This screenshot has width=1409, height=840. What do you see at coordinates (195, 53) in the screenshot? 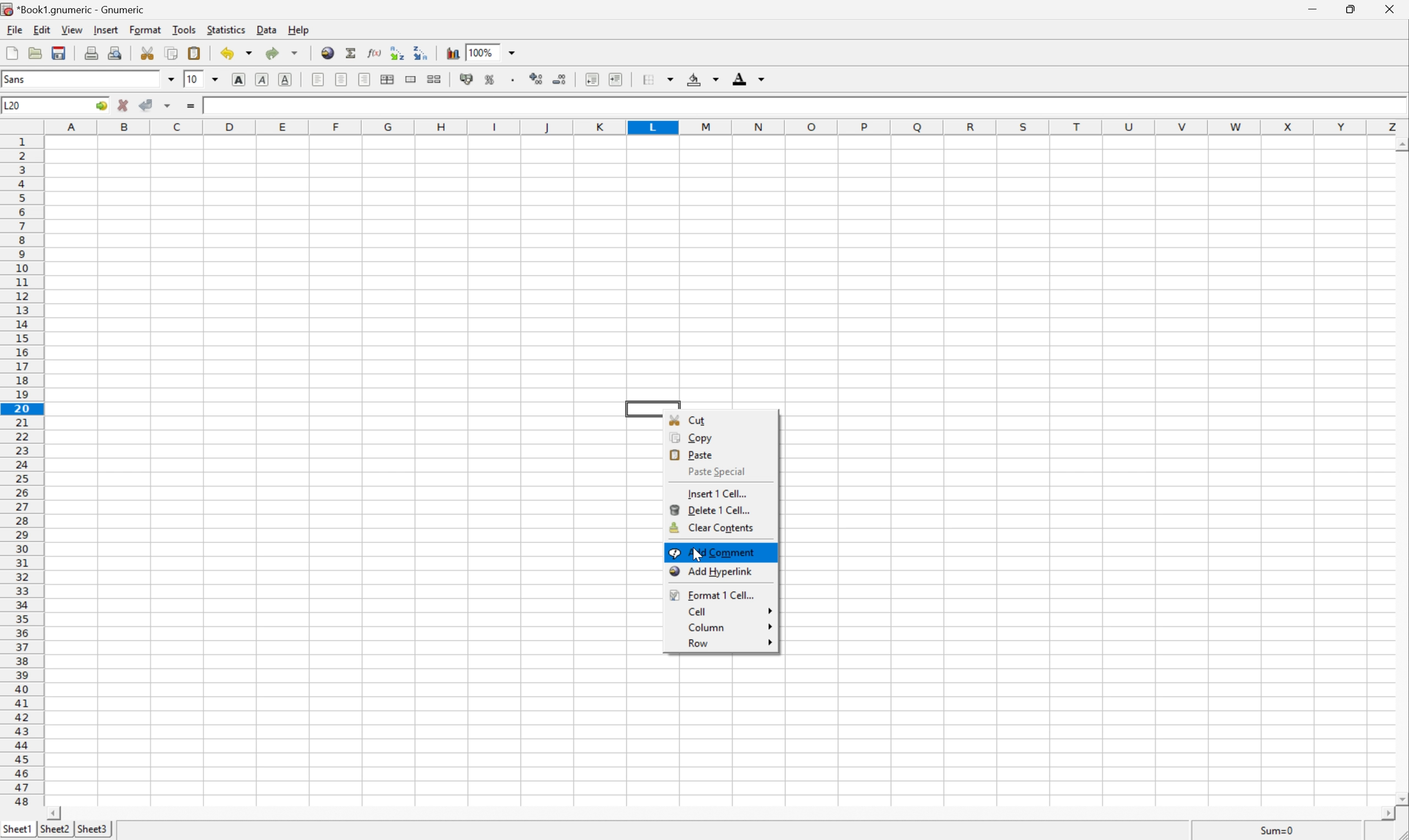
I see `Paste clipboard` at bounding box center [195, 53].